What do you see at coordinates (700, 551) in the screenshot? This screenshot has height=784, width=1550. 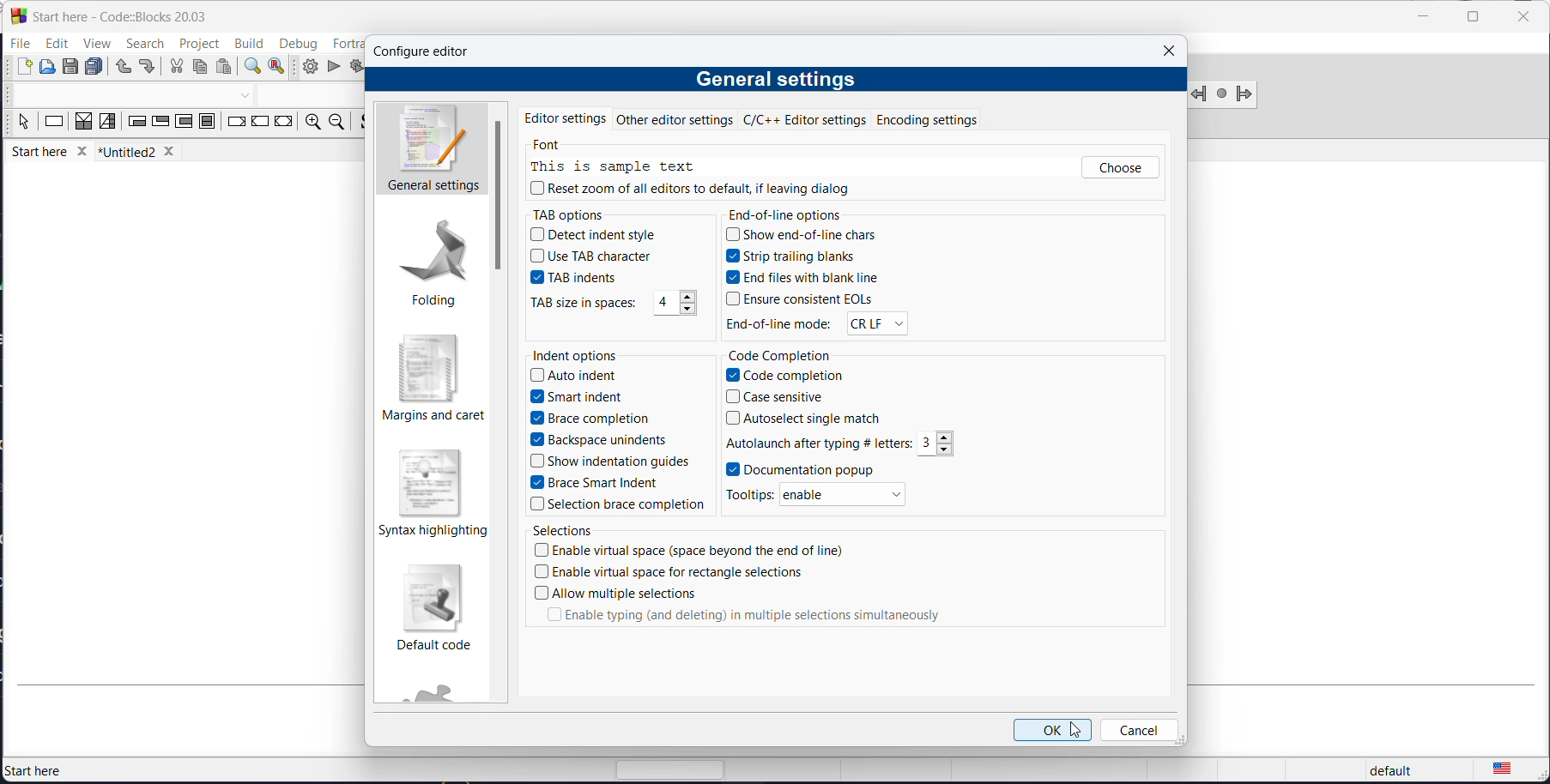 I see `enable virtual space` at bounding box center [700, 551].